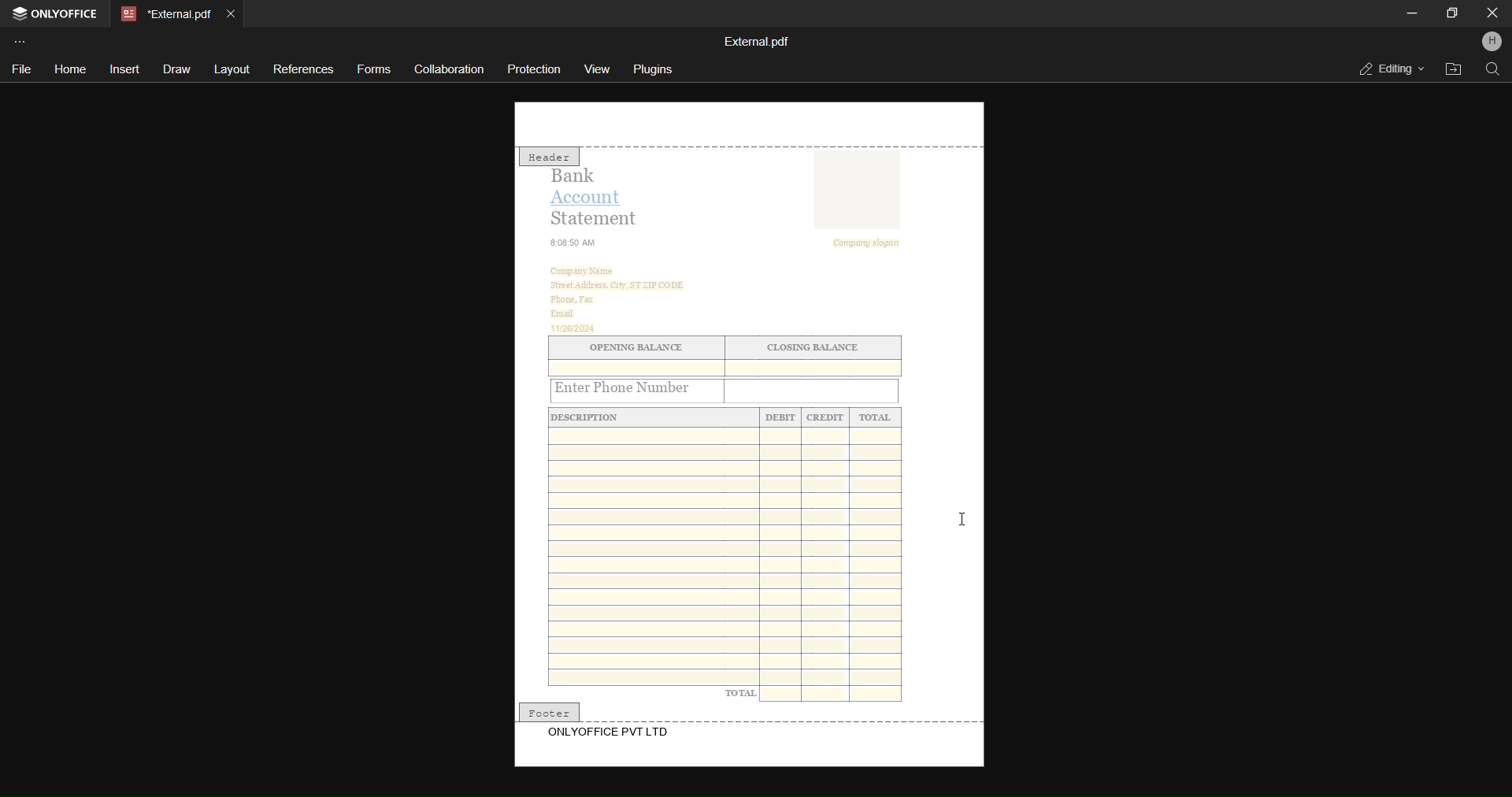 Image resolution: width=1512 pixels, height=797 pixels. Describe the element at coordinates (876, 417) in the screenshot. I see `TOTAL` at that location.